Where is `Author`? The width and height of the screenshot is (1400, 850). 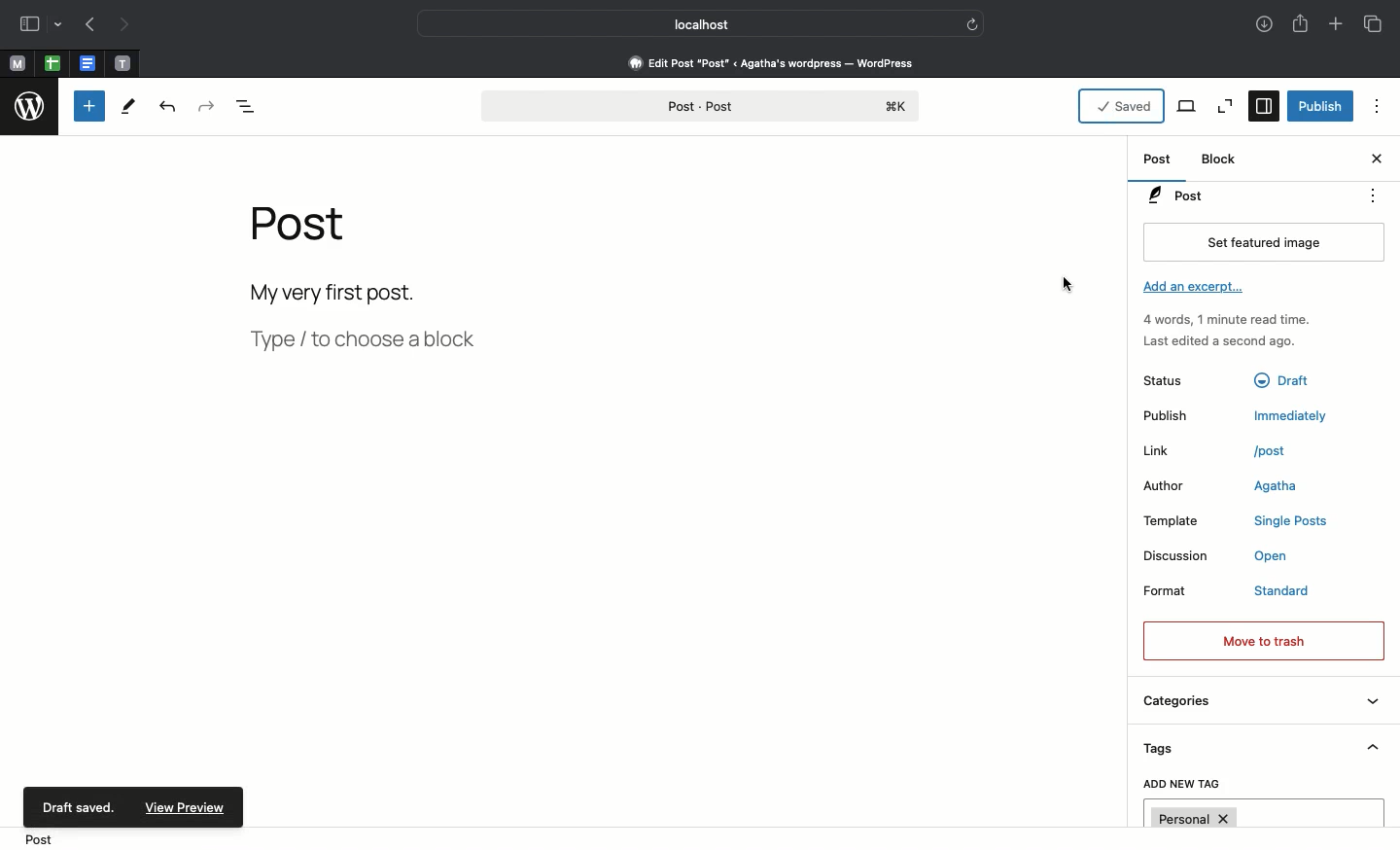 Author is located at coordinates (1170, 485).